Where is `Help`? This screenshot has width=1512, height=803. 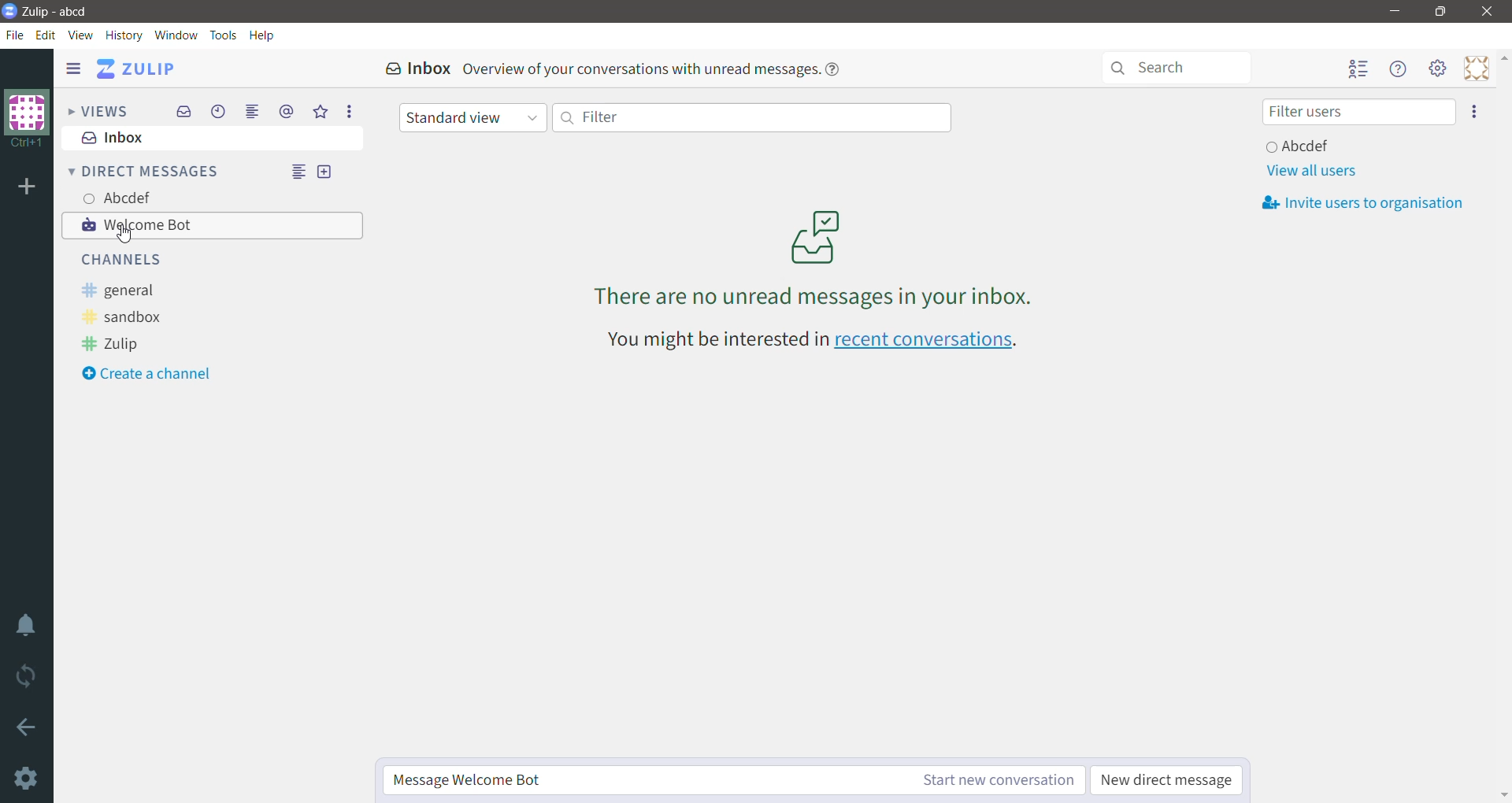
Help is located at coordinates (263, 33).